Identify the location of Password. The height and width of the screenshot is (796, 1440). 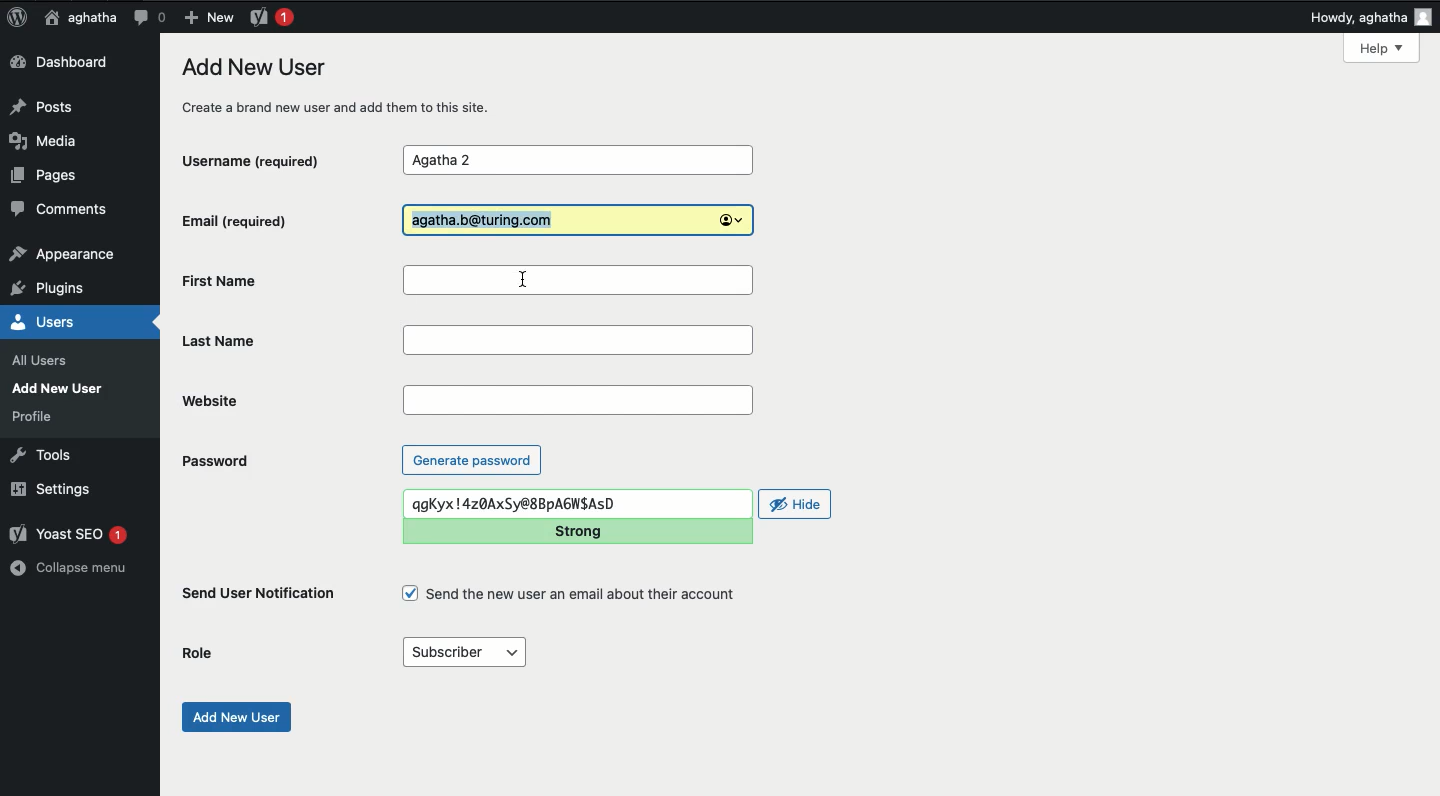
(214, 461).